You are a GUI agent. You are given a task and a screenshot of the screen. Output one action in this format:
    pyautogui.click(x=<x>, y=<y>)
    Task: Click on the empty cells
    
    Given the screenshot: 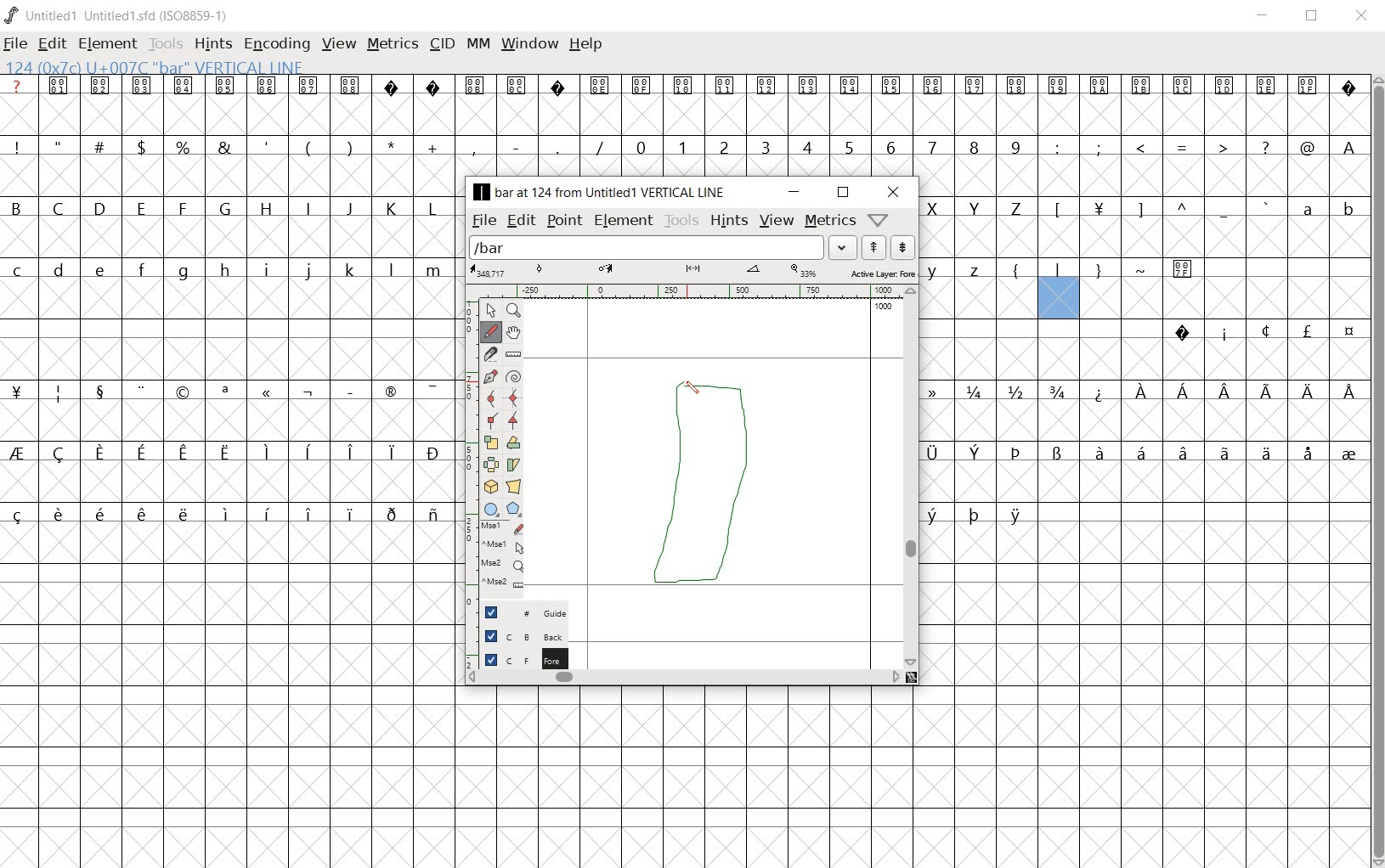 What is the action you would take?
    pyautogui.click(x=231, y=480)
    